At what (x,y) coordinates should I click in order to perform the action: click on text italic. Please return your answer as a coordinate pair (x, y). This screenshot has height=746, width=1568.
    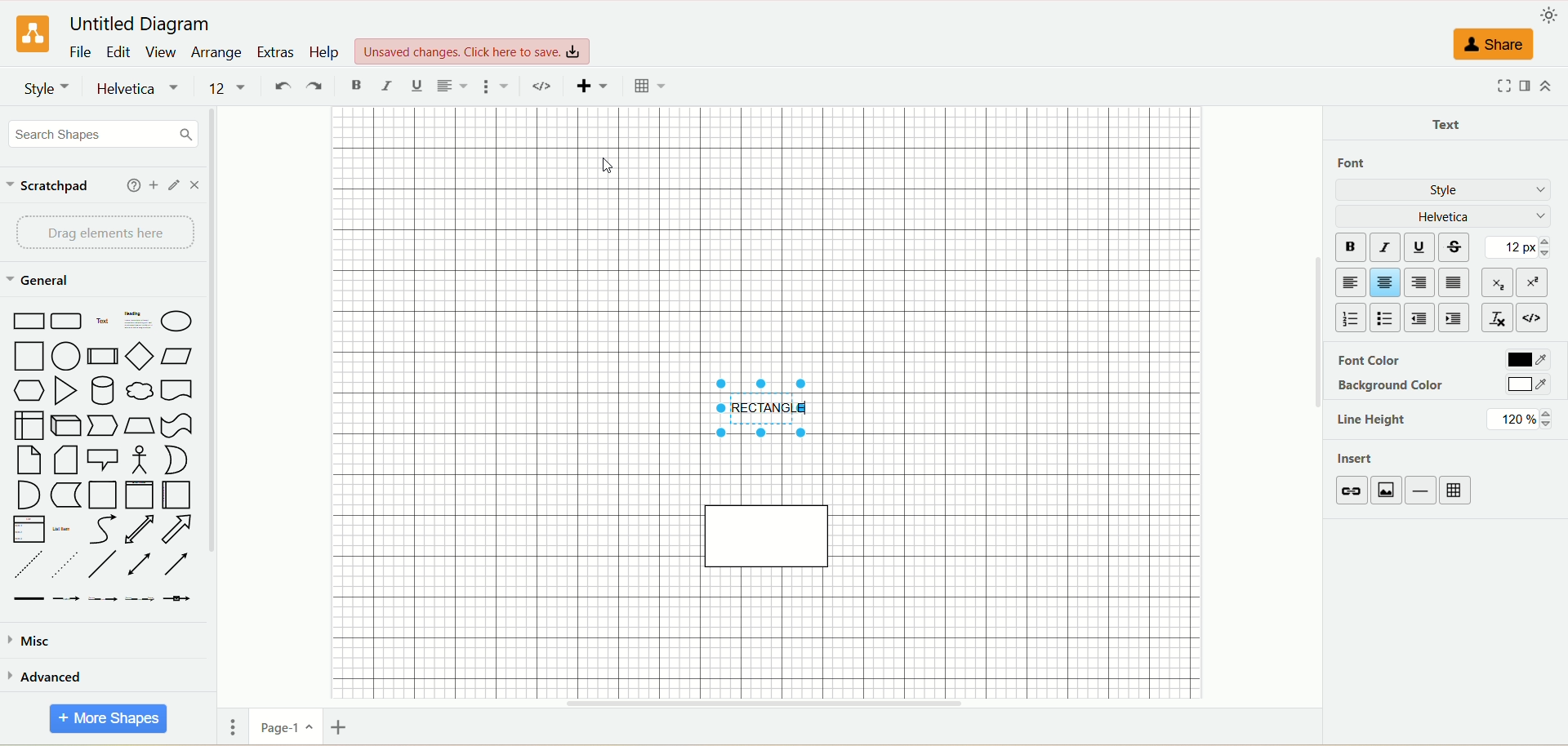
    Looking at the image, I should click on (385, 87).